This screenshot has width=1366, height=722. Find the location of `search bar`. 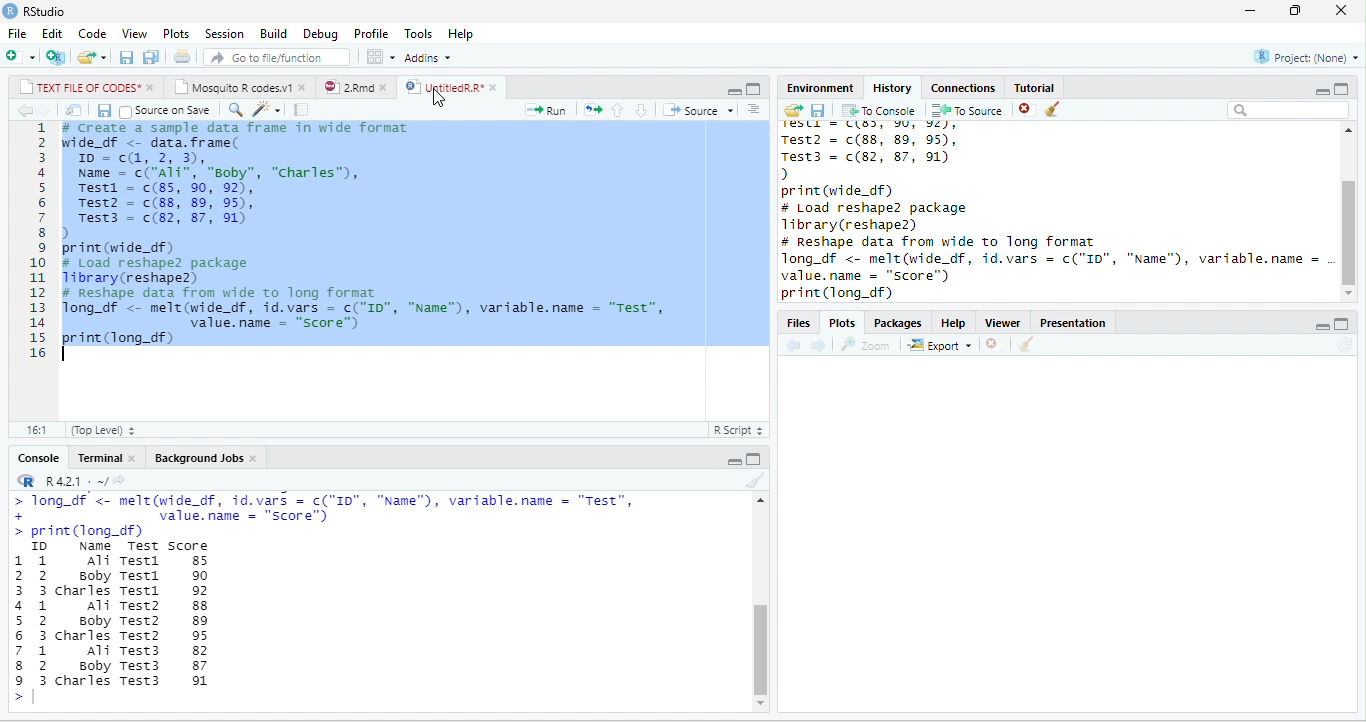

search bar is located at coordinates (1290, 110).